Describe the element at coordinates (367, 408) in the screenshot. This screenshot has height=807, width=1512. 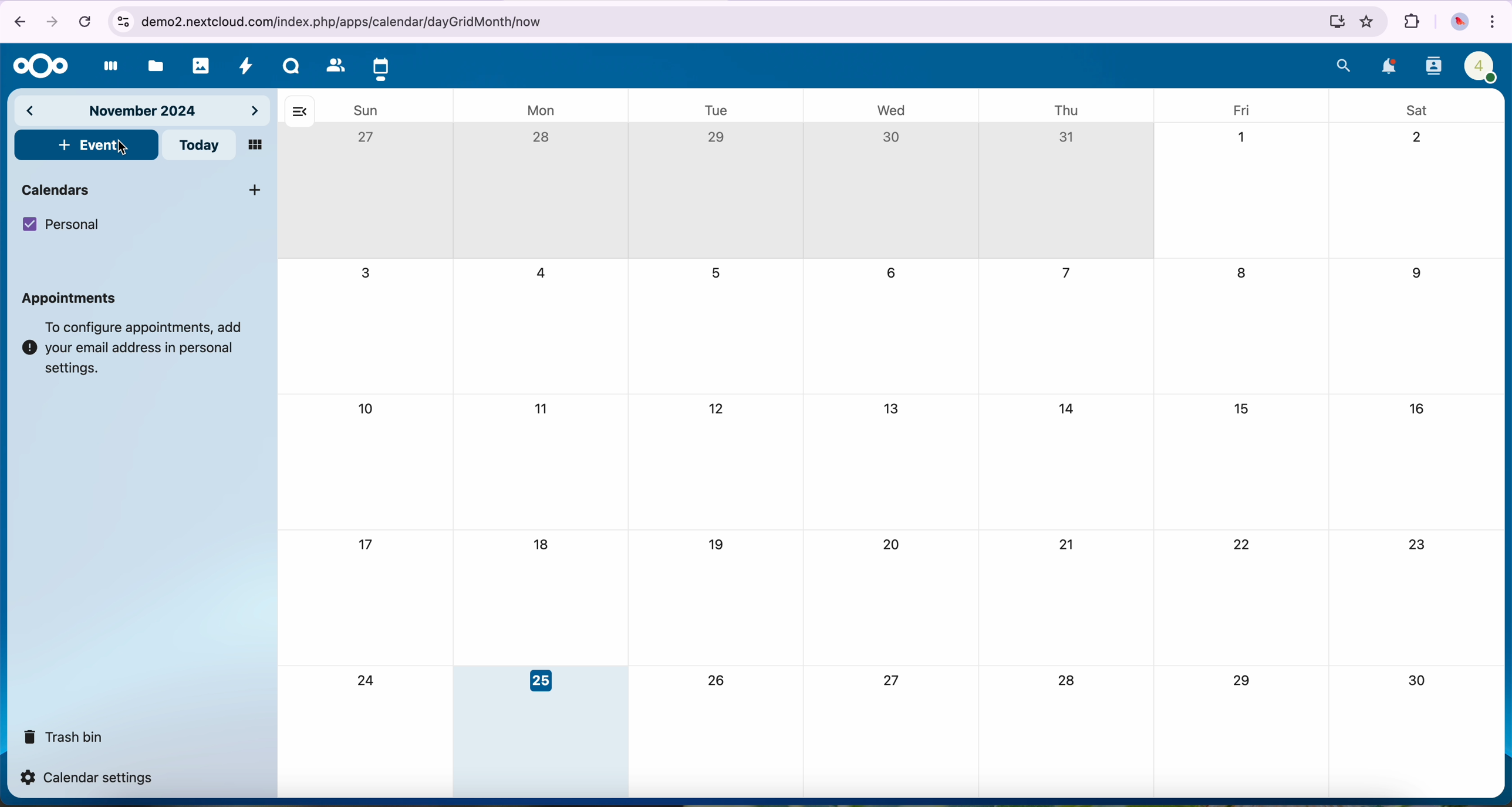
I see `10` at that location.